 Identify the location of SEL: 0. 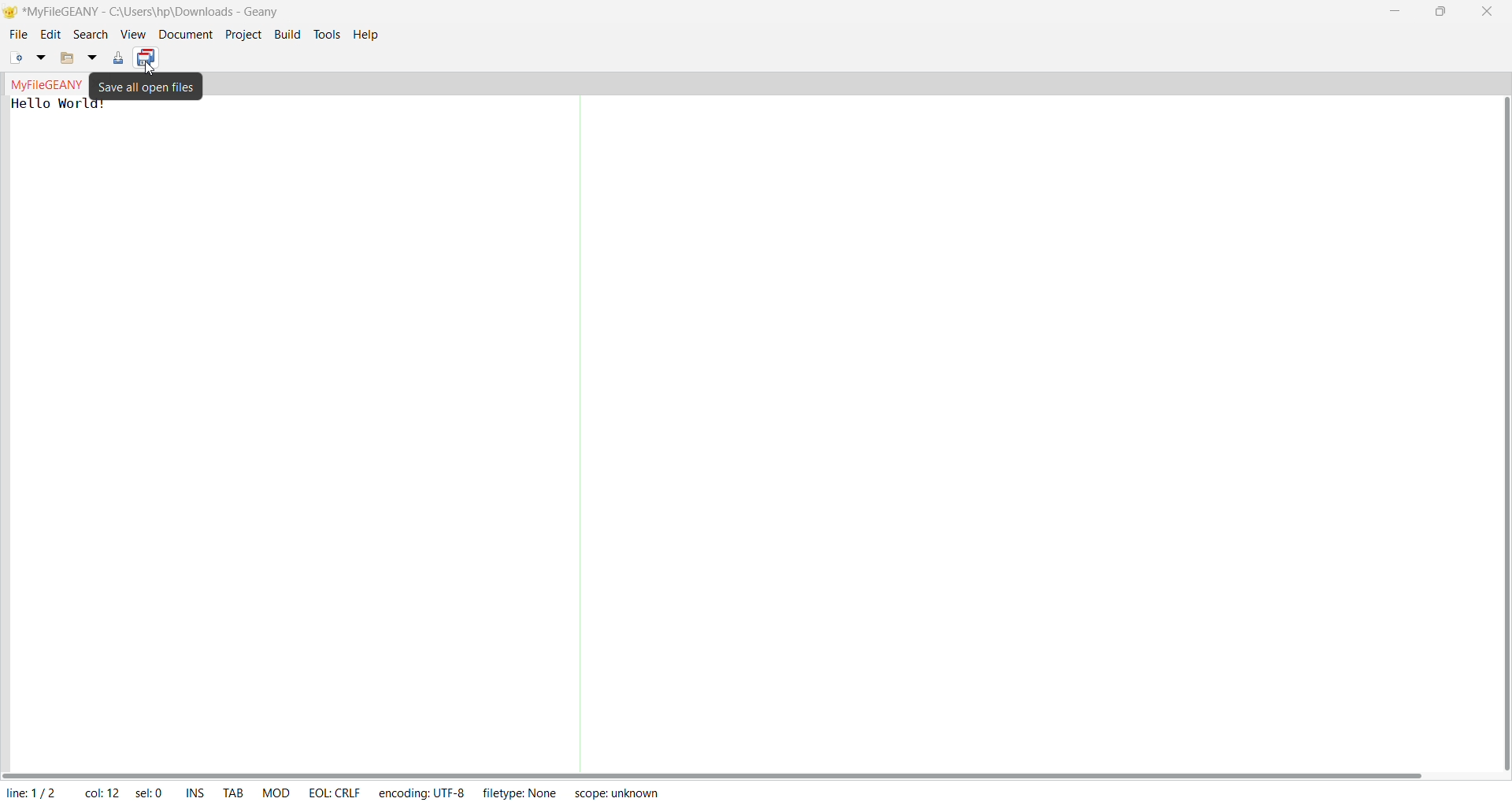
(148, 790).